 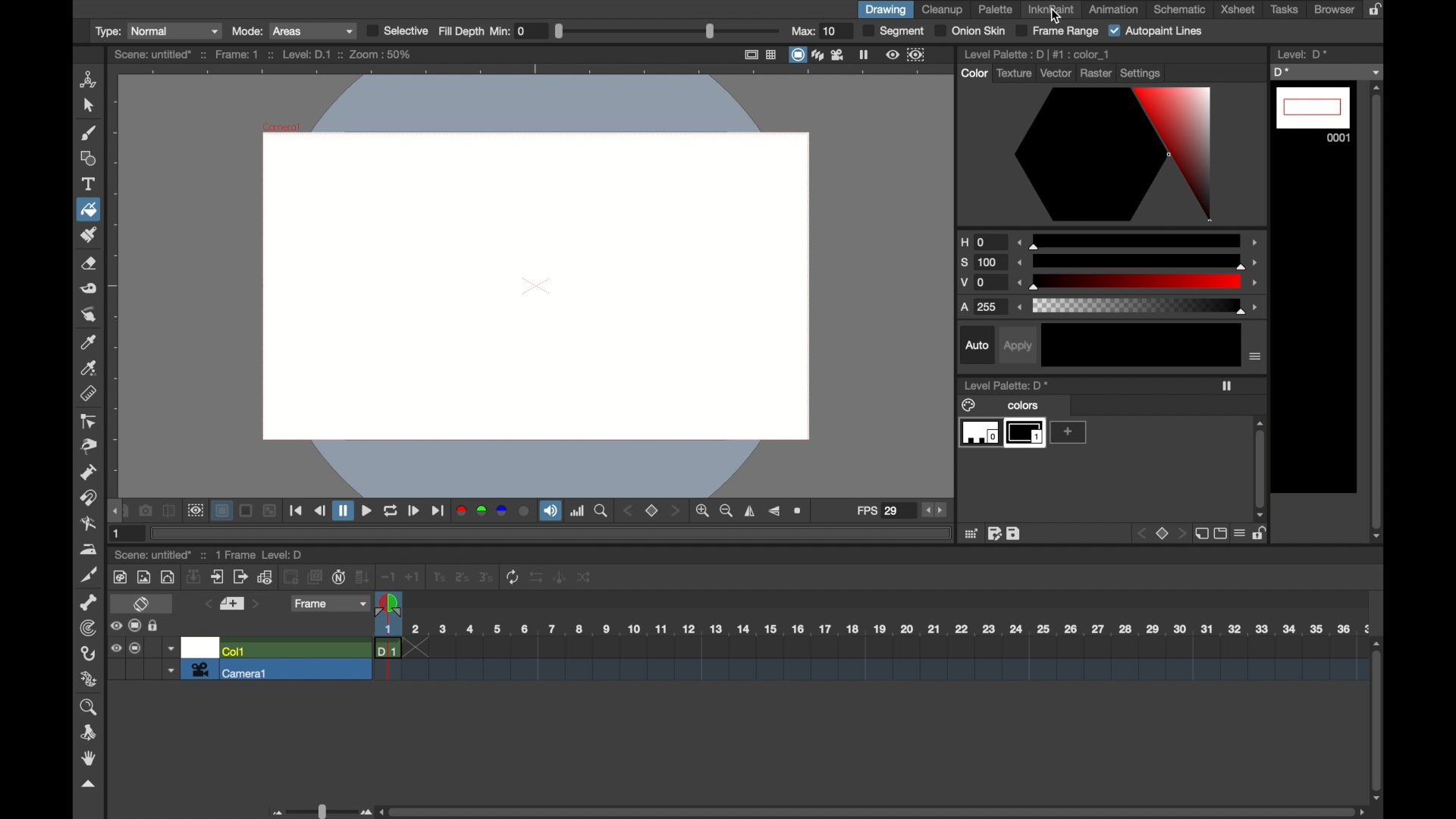 I want to click on dropdown, so click(x=169, y=672).